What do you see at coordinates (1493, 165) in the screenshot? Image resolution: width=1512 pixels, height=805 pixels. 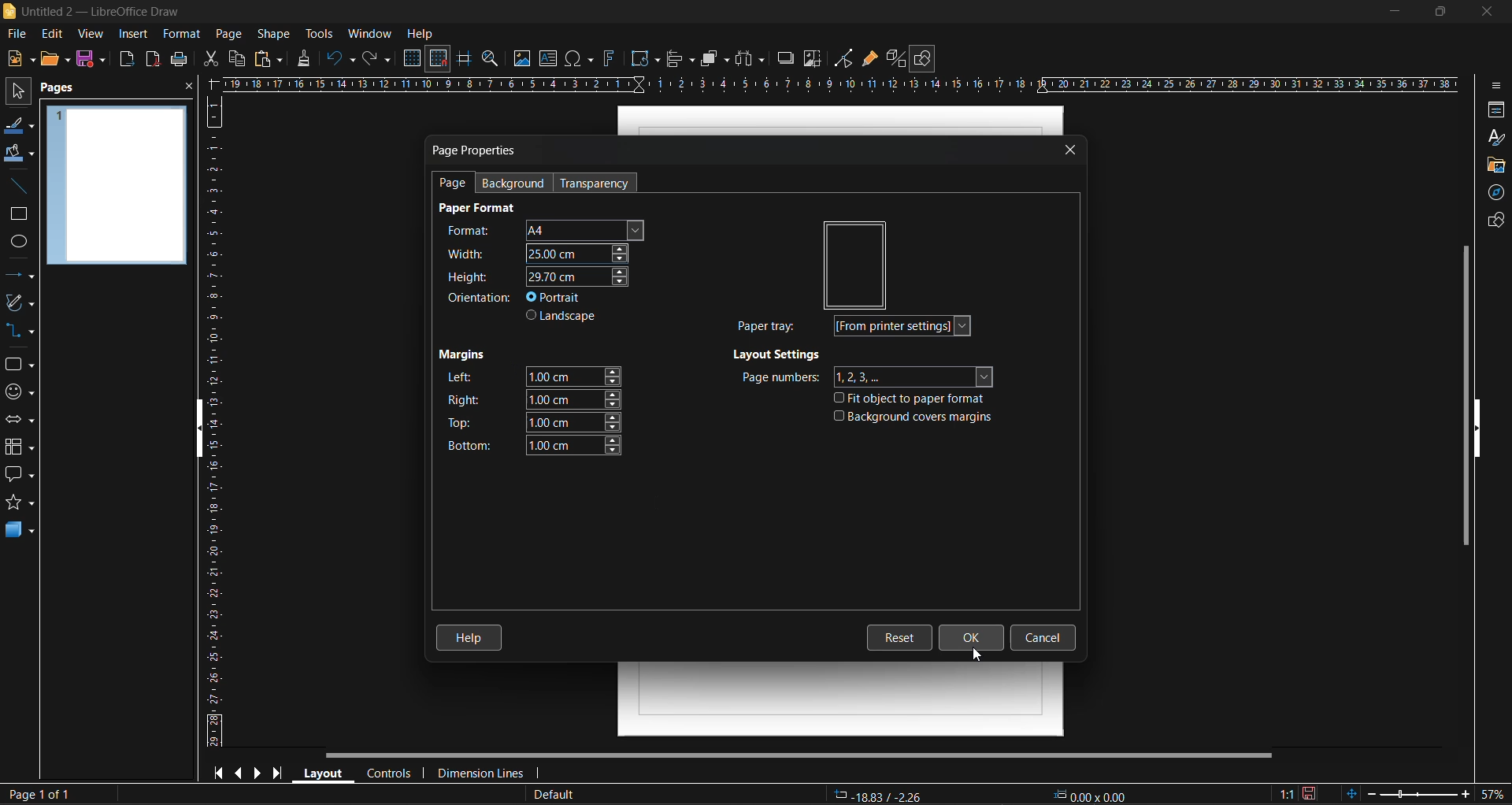 I see `gallery` at bounding box center [1493, 165].